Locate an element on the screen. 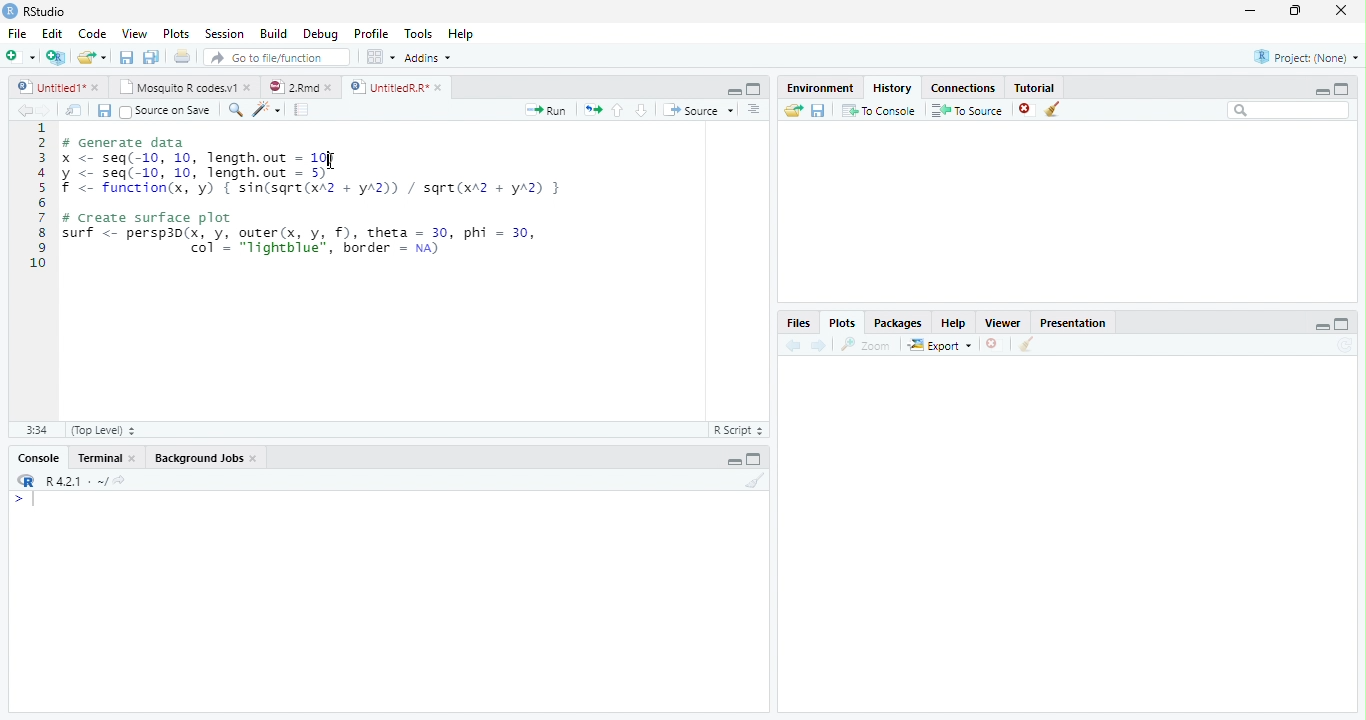 This screenshot has width=1366, height=720. # Generate data

x <- seq(-10, 10, length.out = 10)

y <- seq(-10, 10, length.out - 5)

f <- function(x, 'y) { sin(sqre(xA2 + yA2)) / sqre(xr2 + yA2) }
# Create surface plot

surf <- persp3d(x, y, outer(x, y, f), theta = 30, phi = 30,

| col’ = "lightblue", border = na) is located at coordinates (317, 204).